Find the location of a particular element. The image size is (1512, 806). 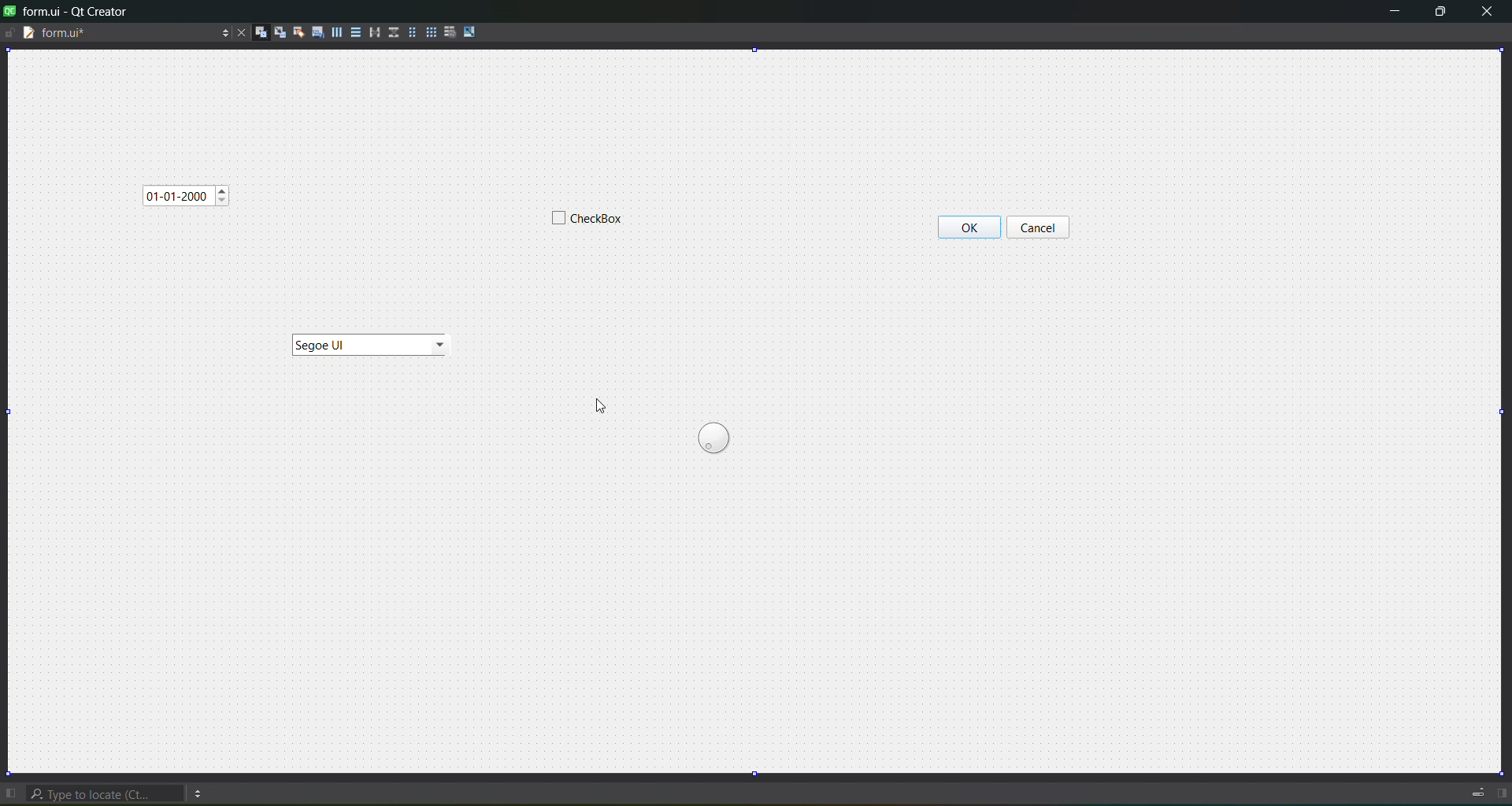

option is located at coordinates (201, 792).